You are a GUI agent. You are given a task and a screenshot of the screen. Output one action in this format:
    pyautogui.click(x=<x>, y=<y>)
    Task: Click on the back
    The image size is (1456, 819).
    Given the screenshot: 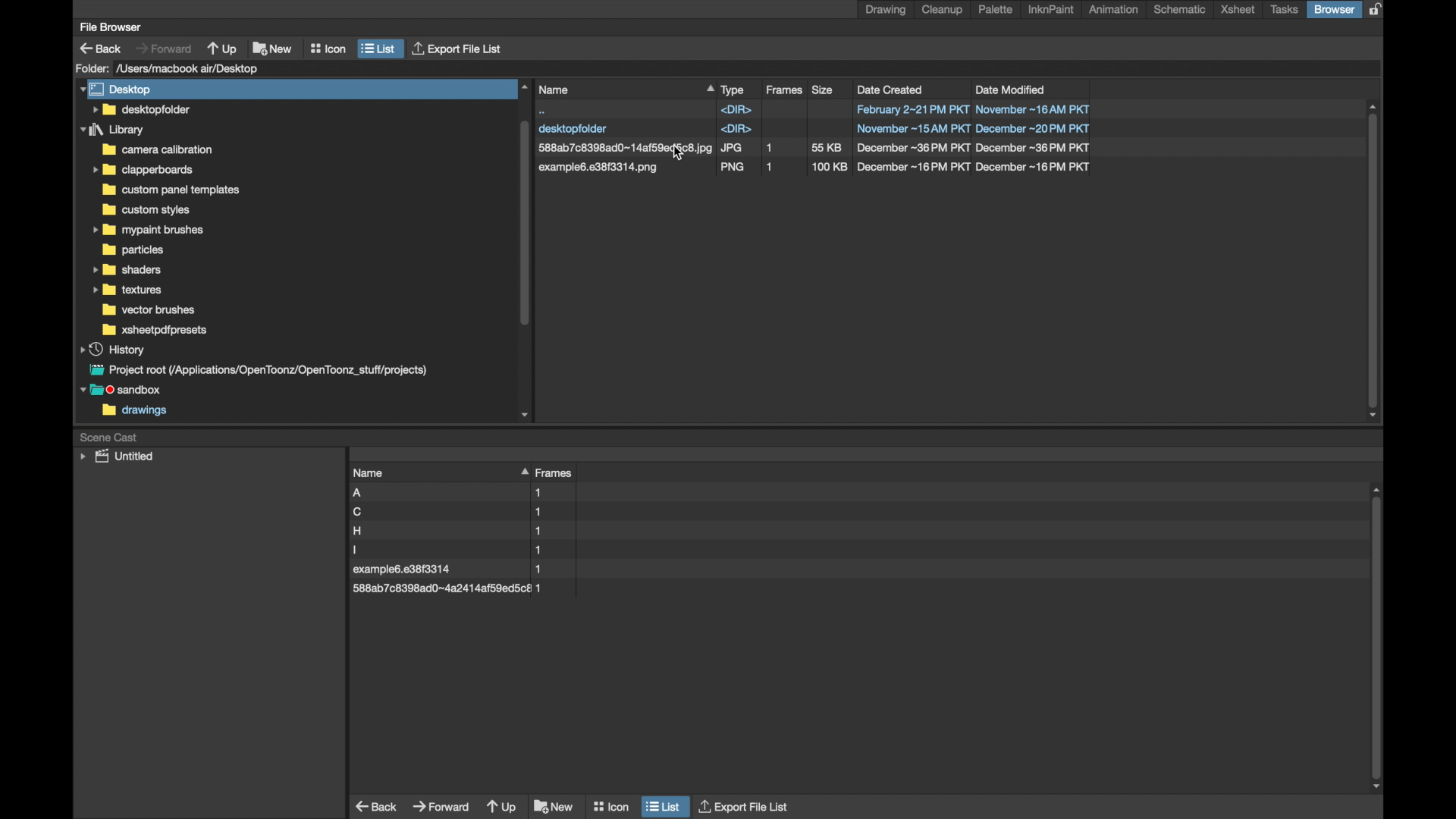 What is the action you would take?
    pyautogui.click(x=101, y=49)
    